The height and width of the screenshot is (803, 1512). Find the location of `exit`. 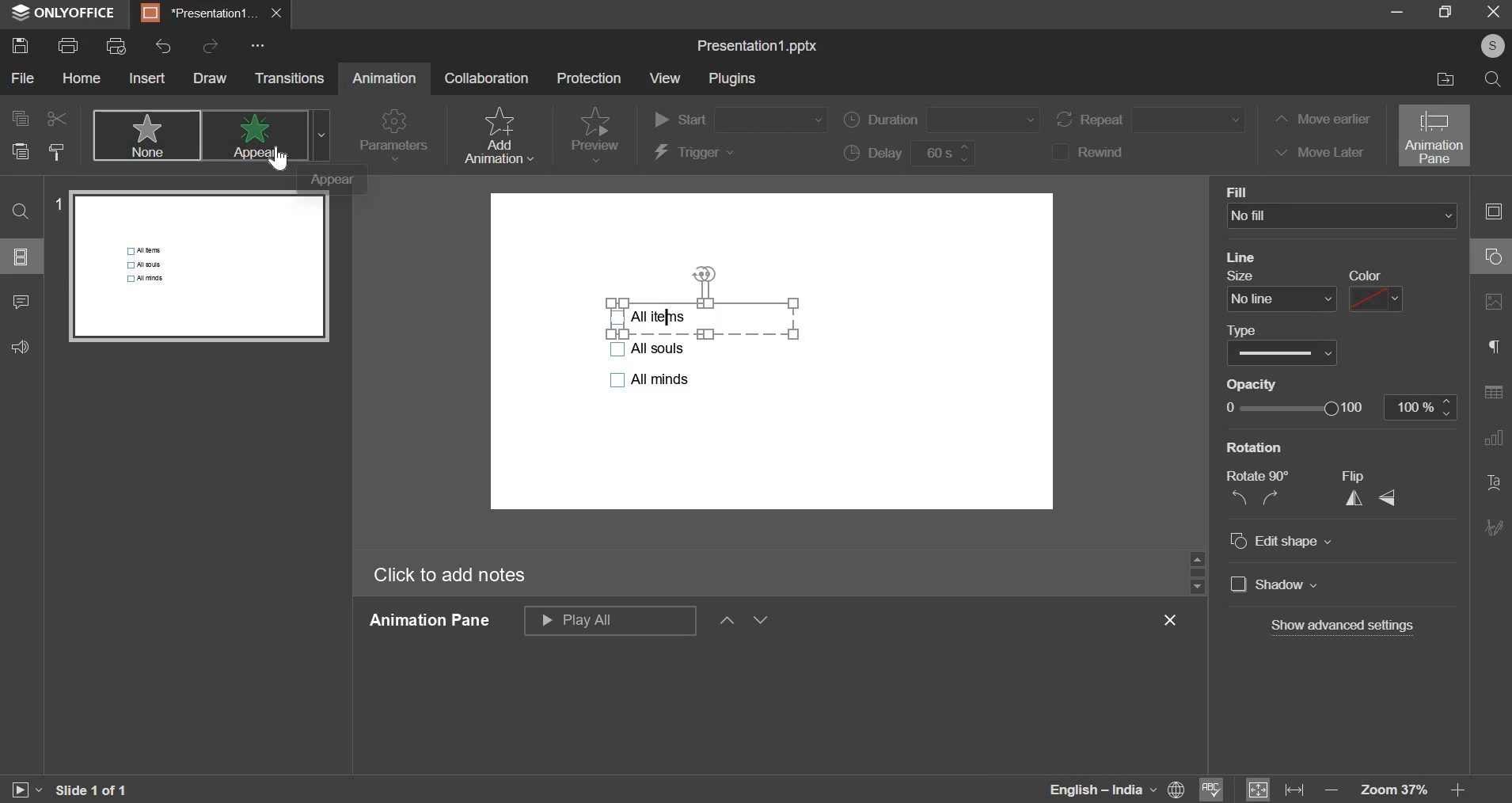

exit is located at coordinates (1172, 619).